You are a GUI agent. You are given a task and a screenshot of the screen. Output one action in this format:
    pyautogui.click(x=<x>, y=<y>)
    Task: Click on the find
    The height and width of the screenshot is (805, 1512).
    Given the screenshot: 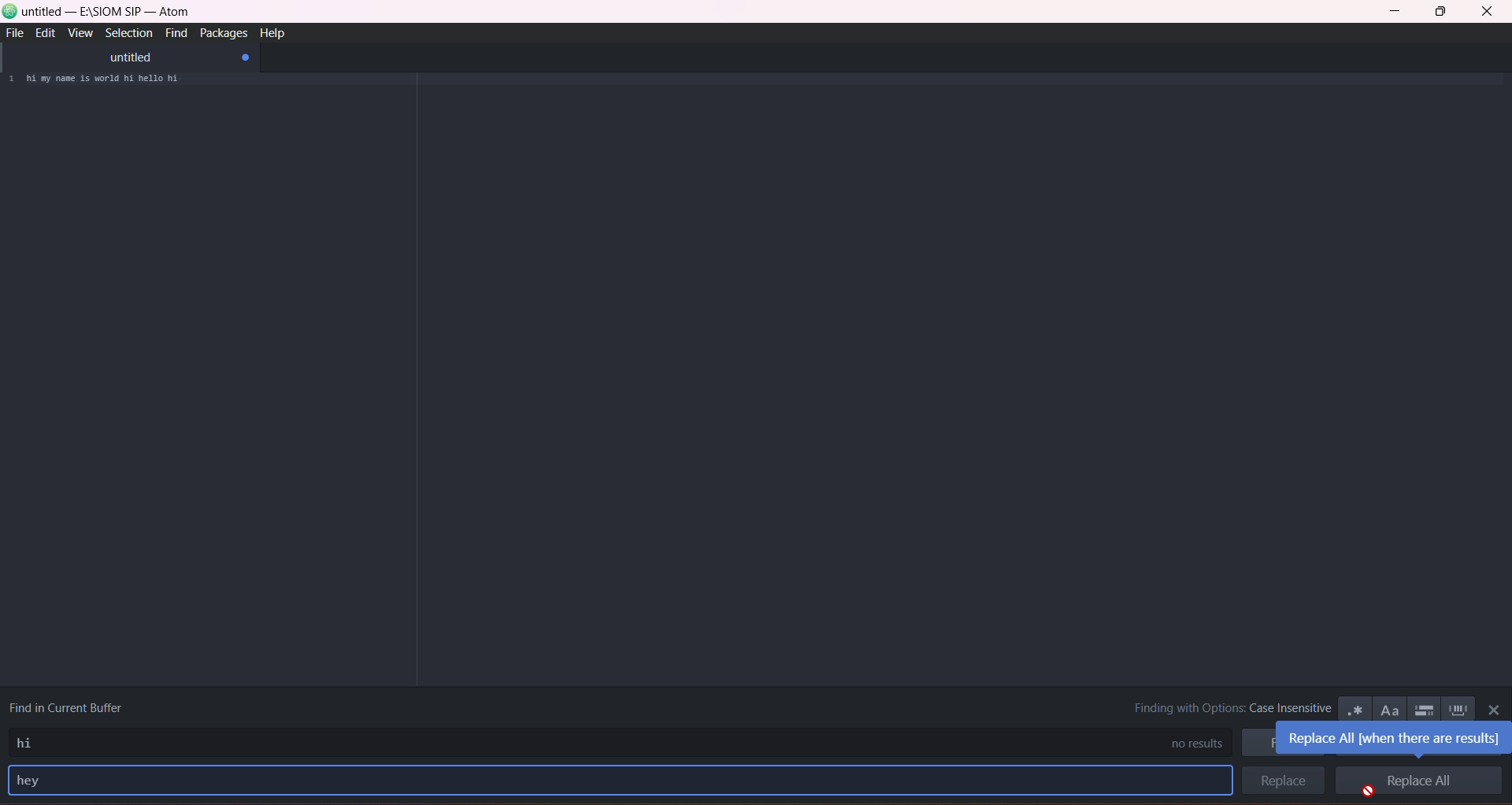 What is the action you would take?
    pyautogui.click(x=173, y=35)
    